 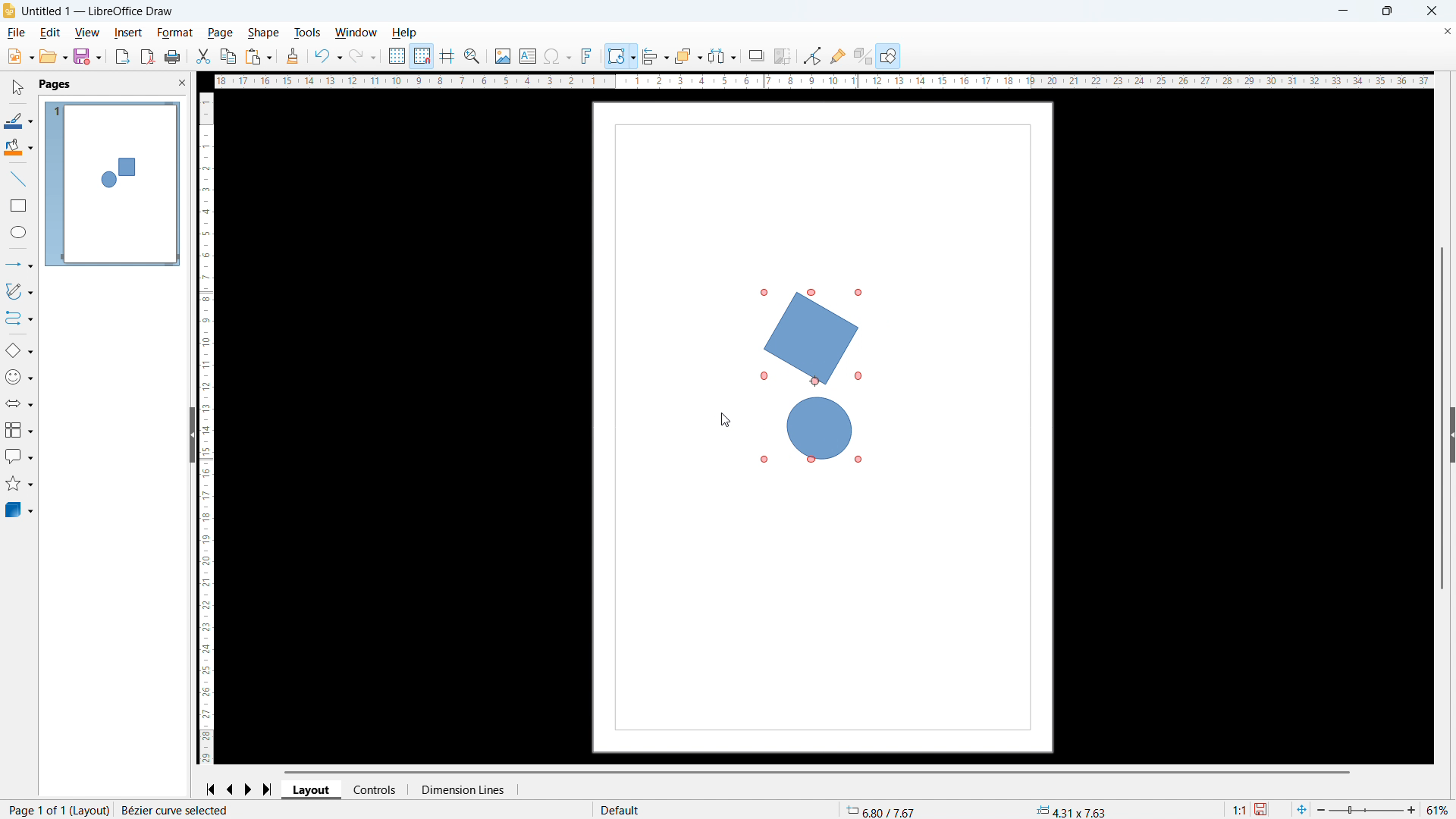 What do you see at coordinates (722, 55) in the screenshot?
I see `Select at least three objects to distribute ` at bounding box center [722, 55].